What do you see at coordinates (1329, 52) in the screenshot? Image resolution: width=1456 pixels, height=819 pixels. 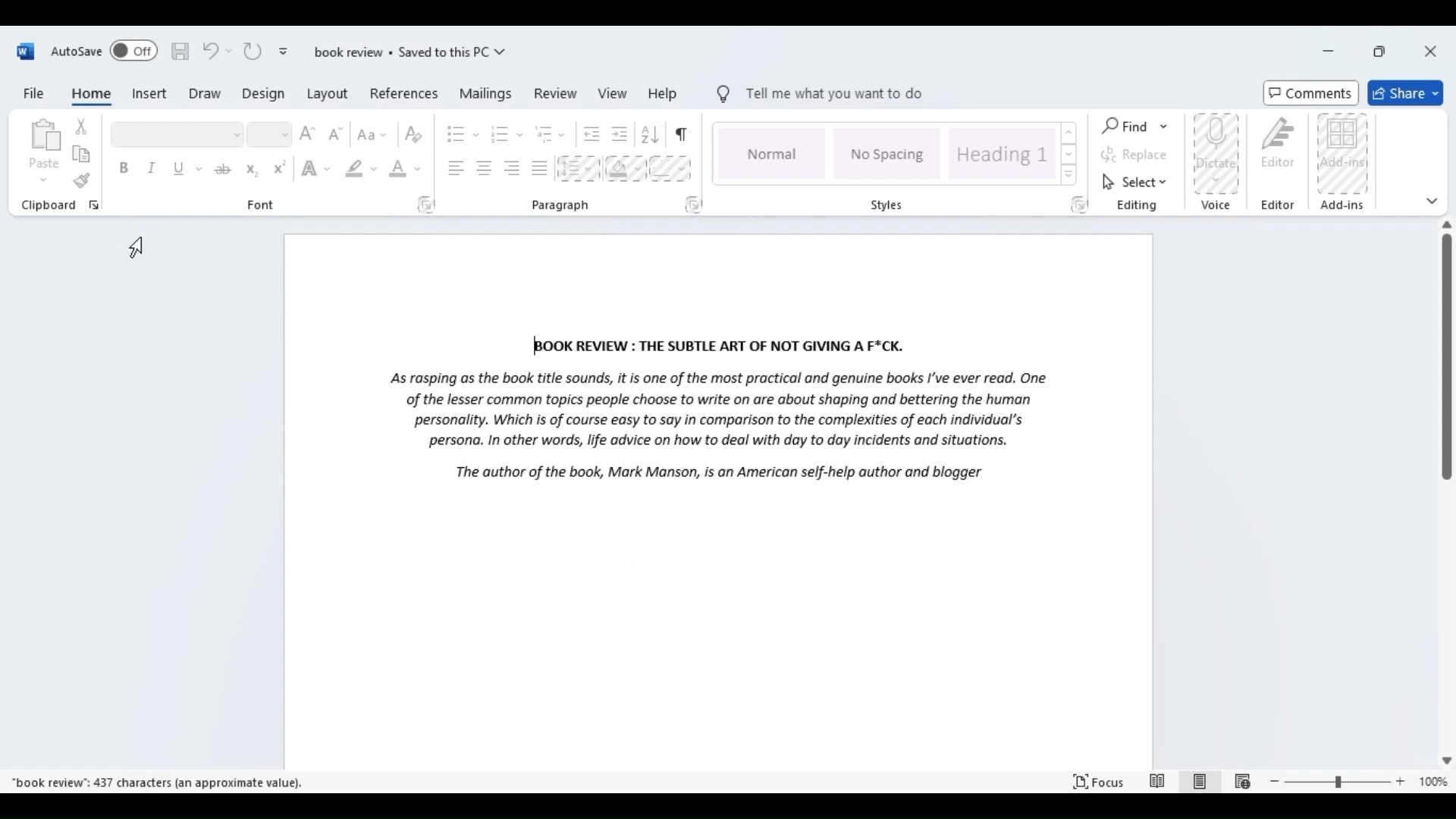 I see `minimize` at bounding box center [1329, 52].